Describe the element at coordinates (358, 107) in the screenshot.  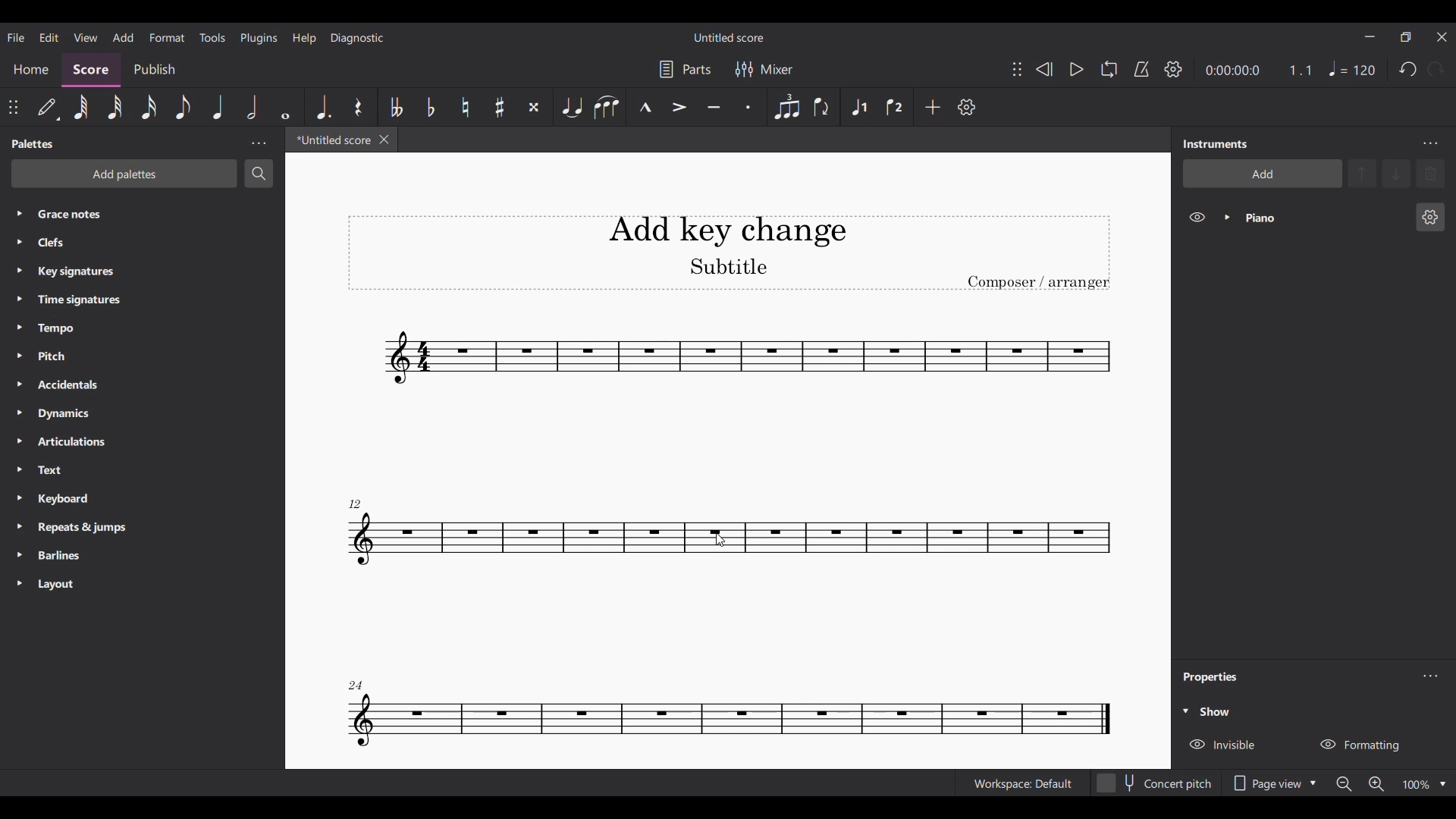
I see `Rest` at that location.